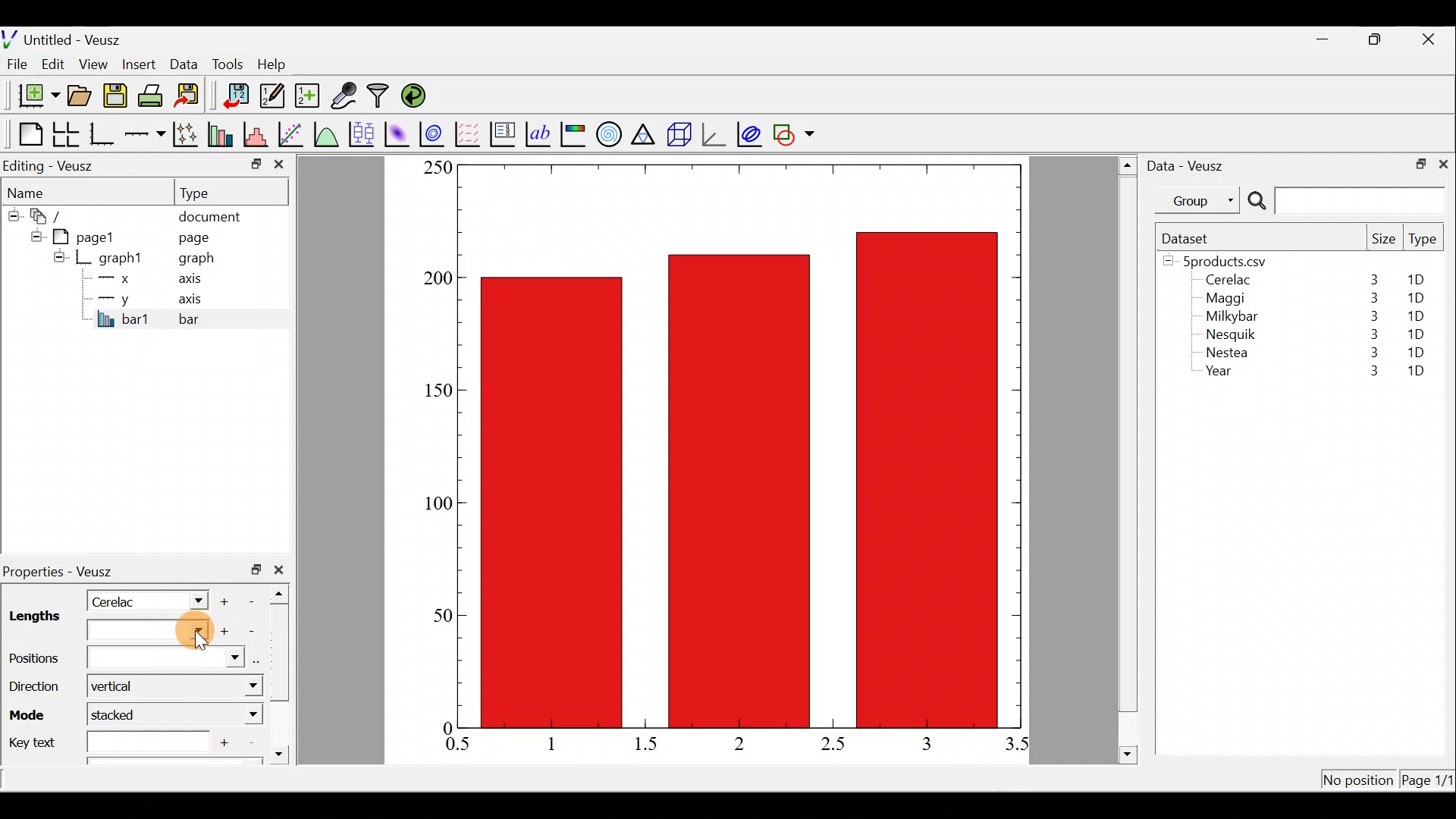  What do you see at coordinates (209, 192) in the screenshot?
I see `Type` at bounding box center [209, 192].